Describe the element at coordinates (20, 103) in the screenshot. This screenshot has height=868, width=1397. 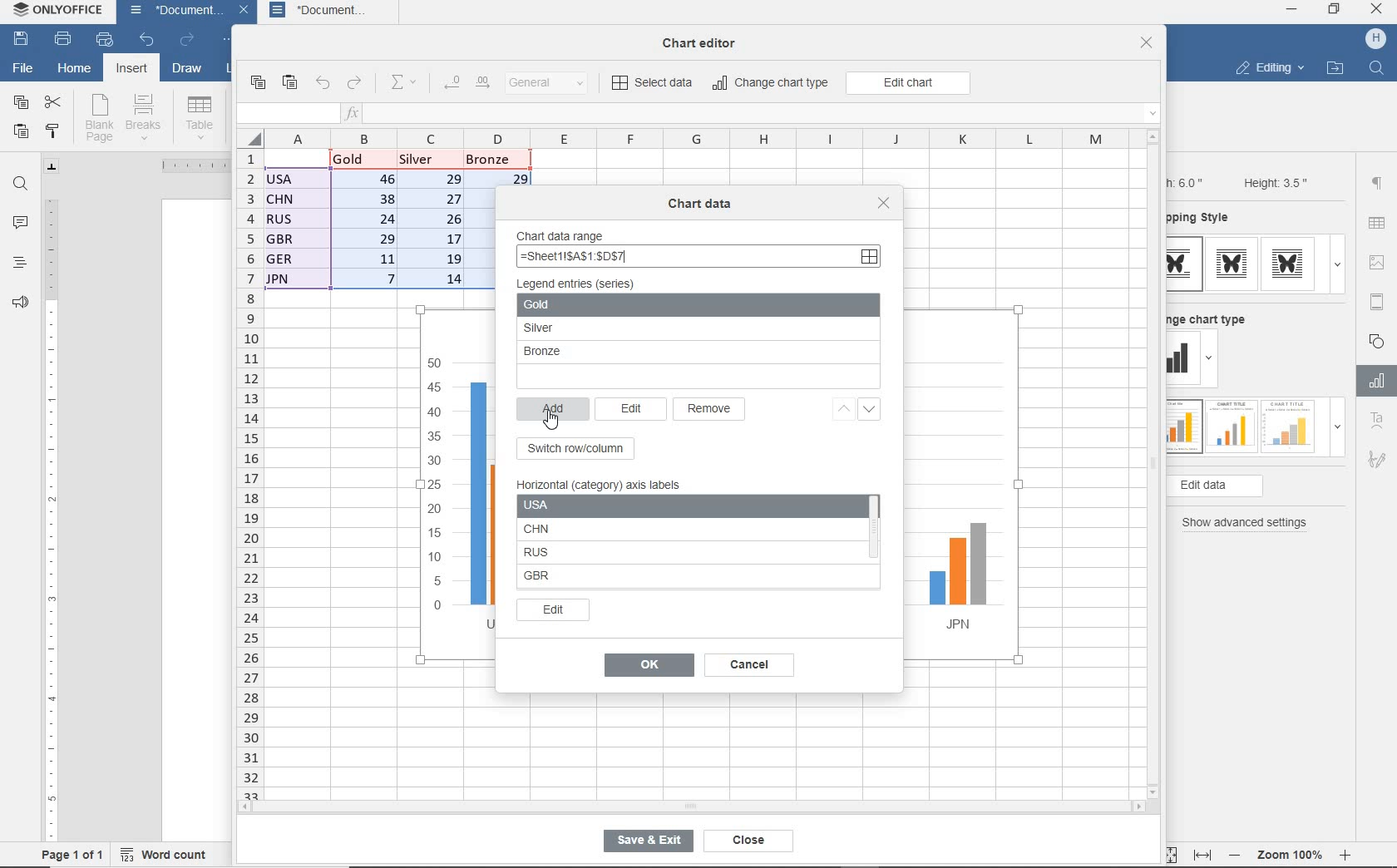
I see `copy` at that location.